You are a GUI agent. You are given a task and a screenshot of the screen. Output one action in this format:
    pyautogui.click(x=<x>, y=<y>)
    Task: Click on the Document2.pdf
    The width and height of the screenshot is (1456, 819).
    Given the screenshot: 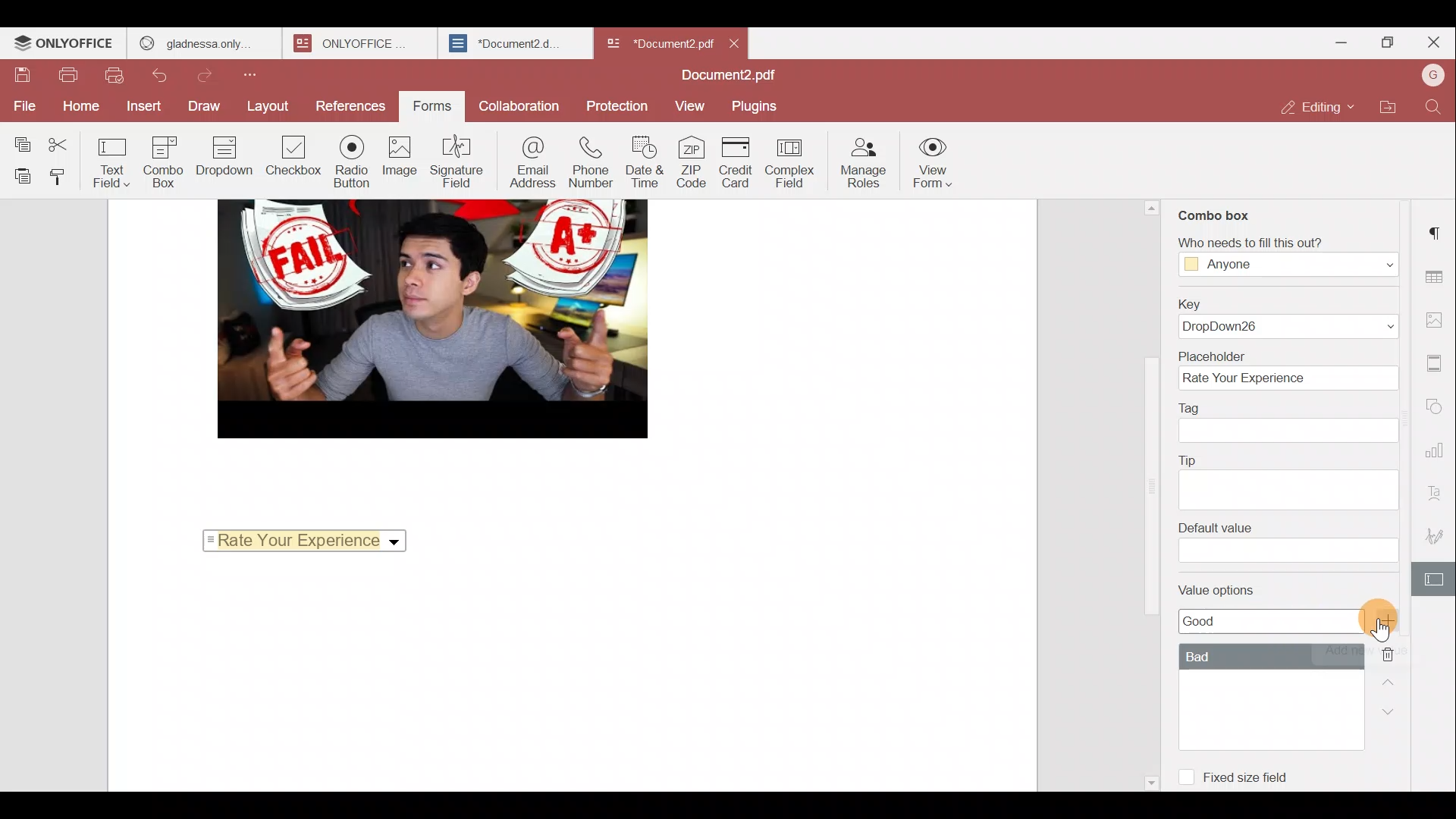 What is the action you would take?
    pyautogui.click(x=728, y=75)
    